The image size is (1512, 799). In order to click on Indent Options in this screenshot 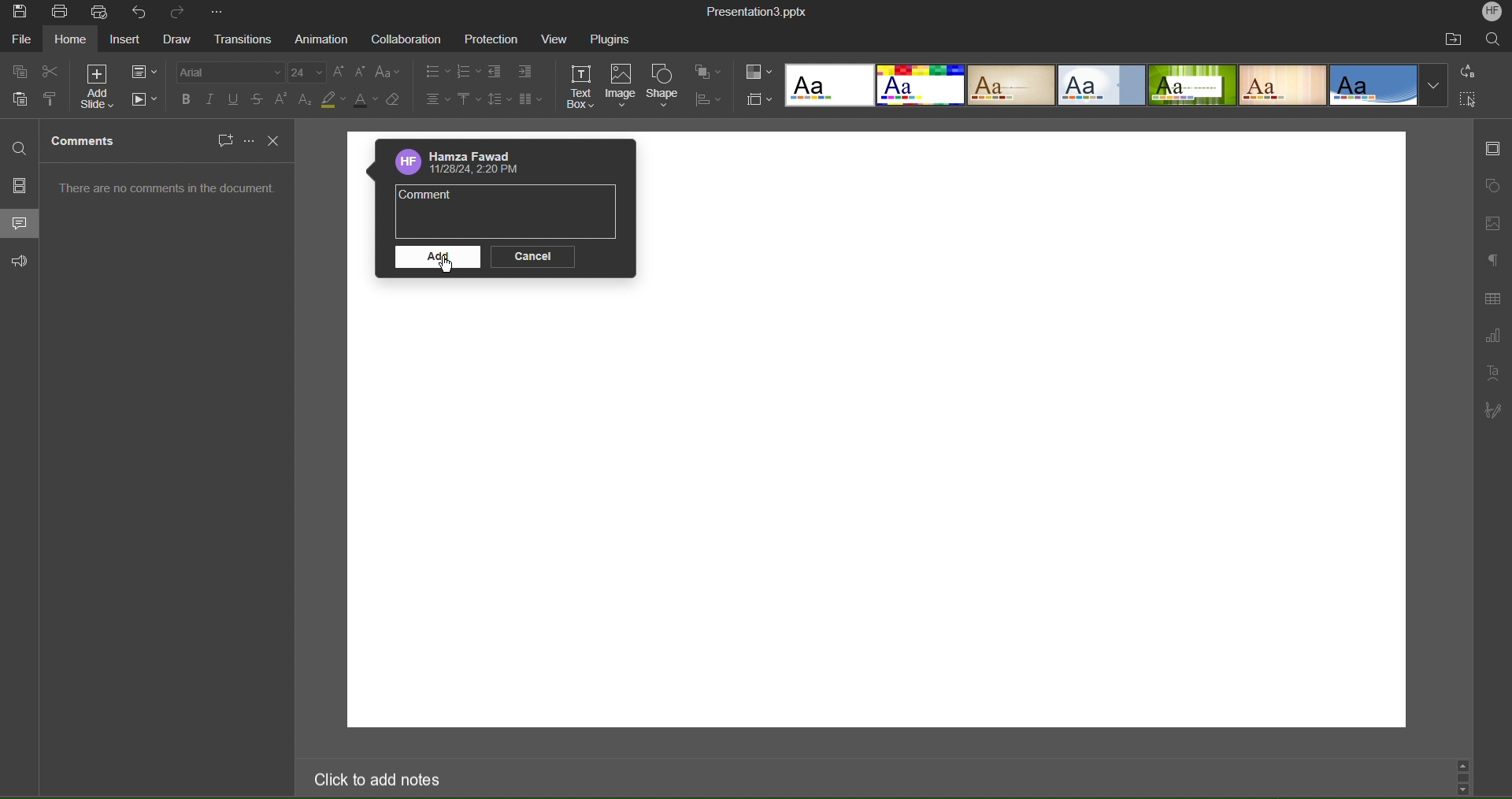, I will do `click(524, 72)`.